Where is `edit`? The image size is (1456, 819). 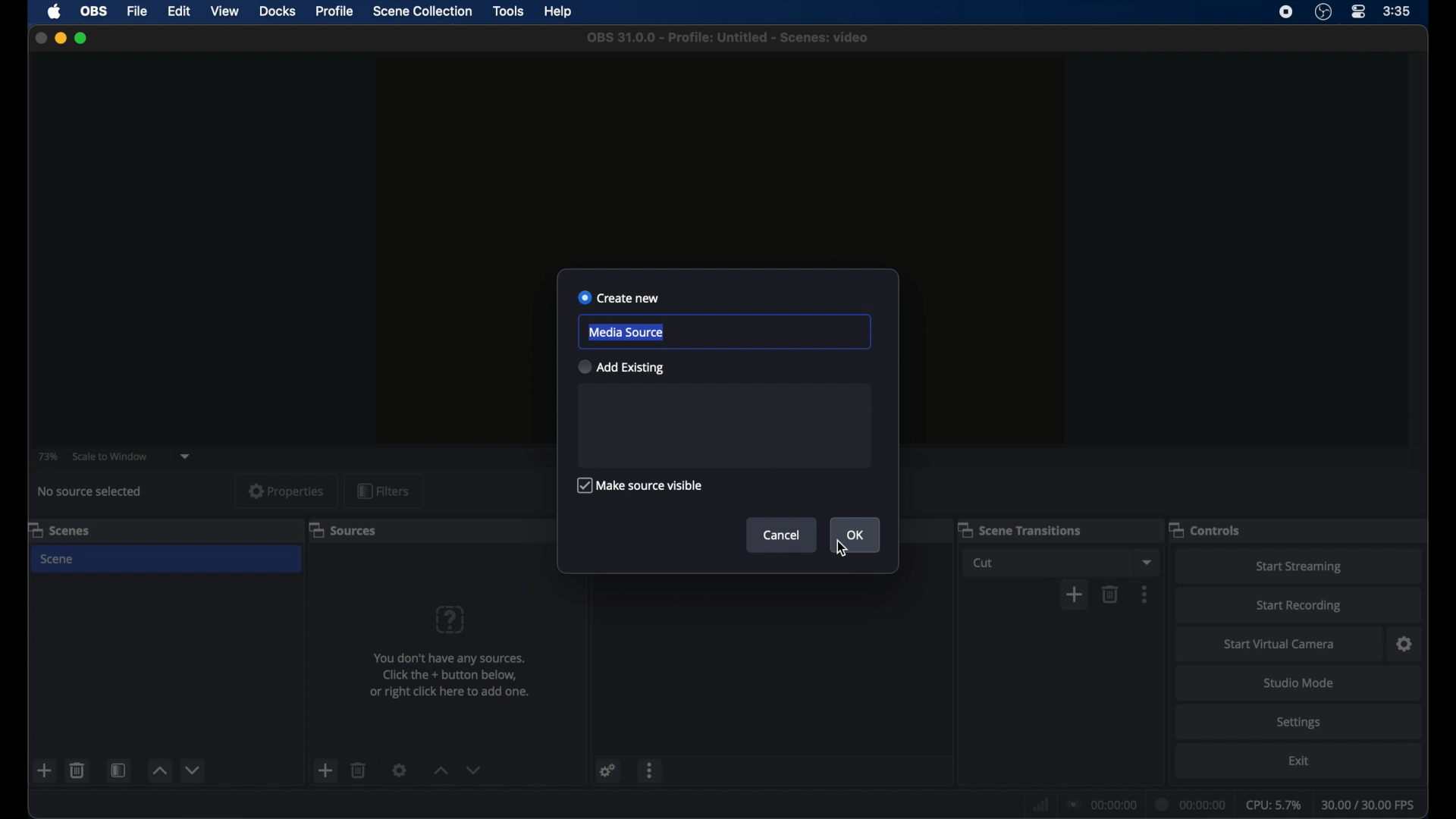
edit is located at coordinates (179, 11).